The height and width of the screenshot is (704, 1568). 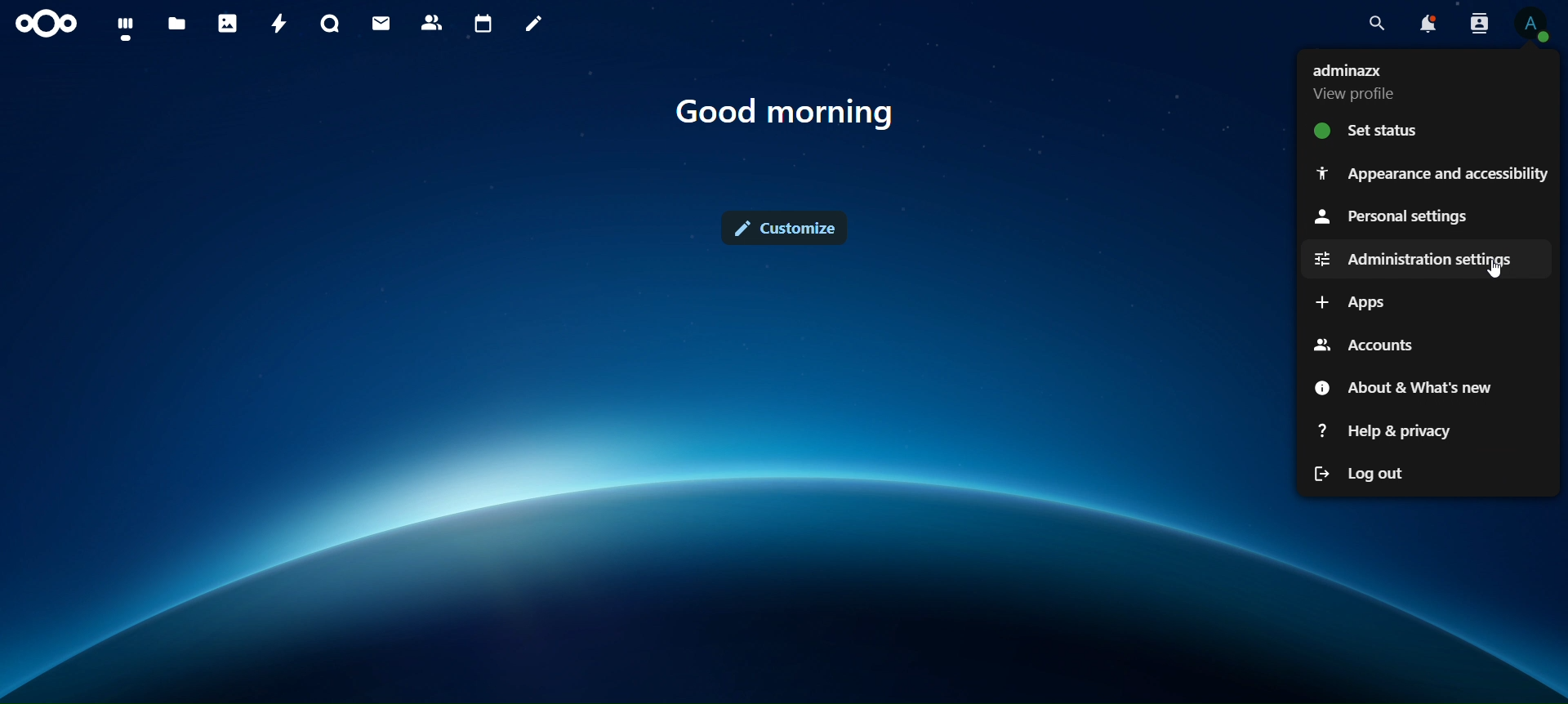 What do you see at coordinates (1530, 24) in the screenshot?
I see `view profile` at bounding box center [1530, 24].